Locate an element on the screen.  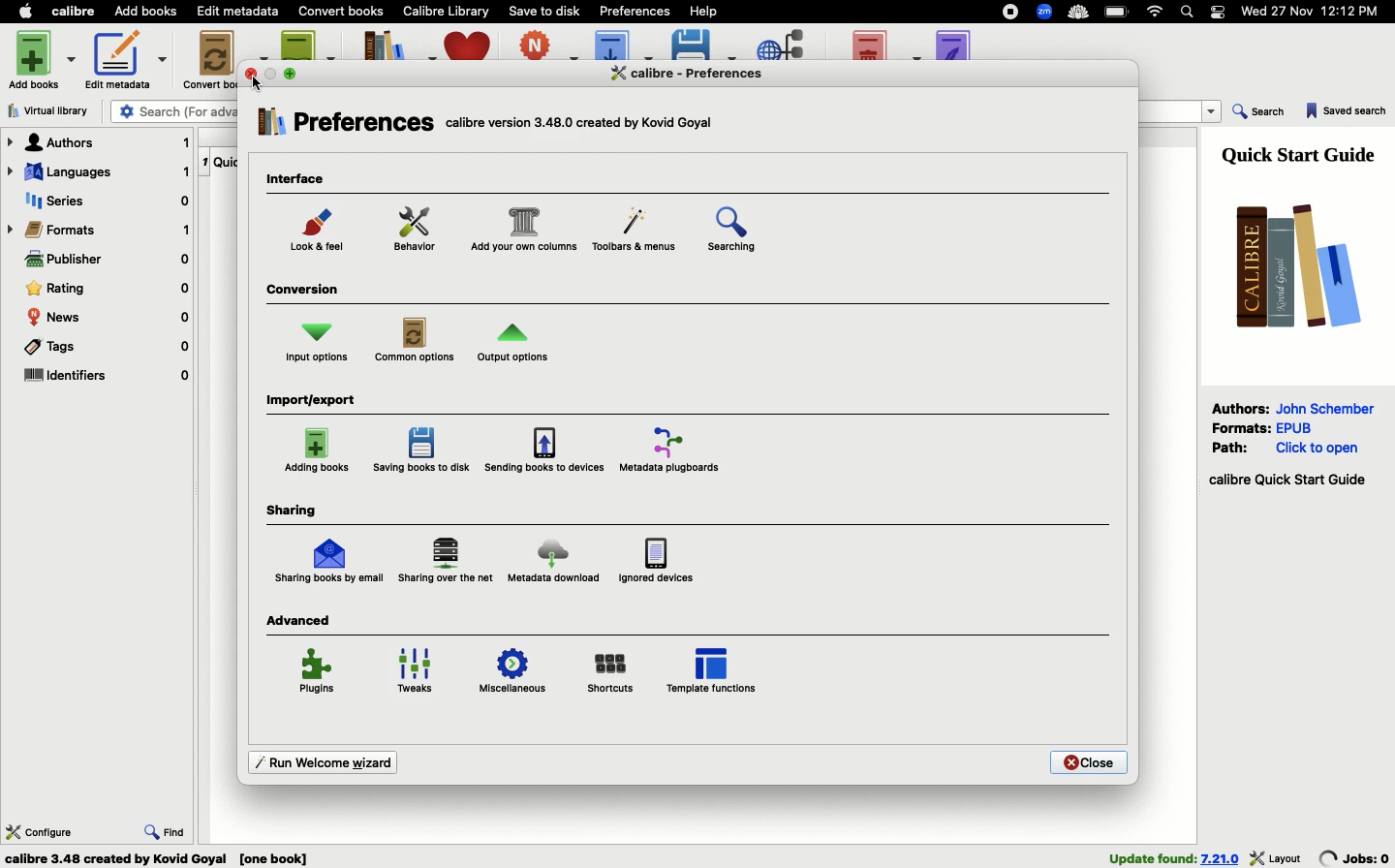
Identifiers is located at coordinates (107, 377).